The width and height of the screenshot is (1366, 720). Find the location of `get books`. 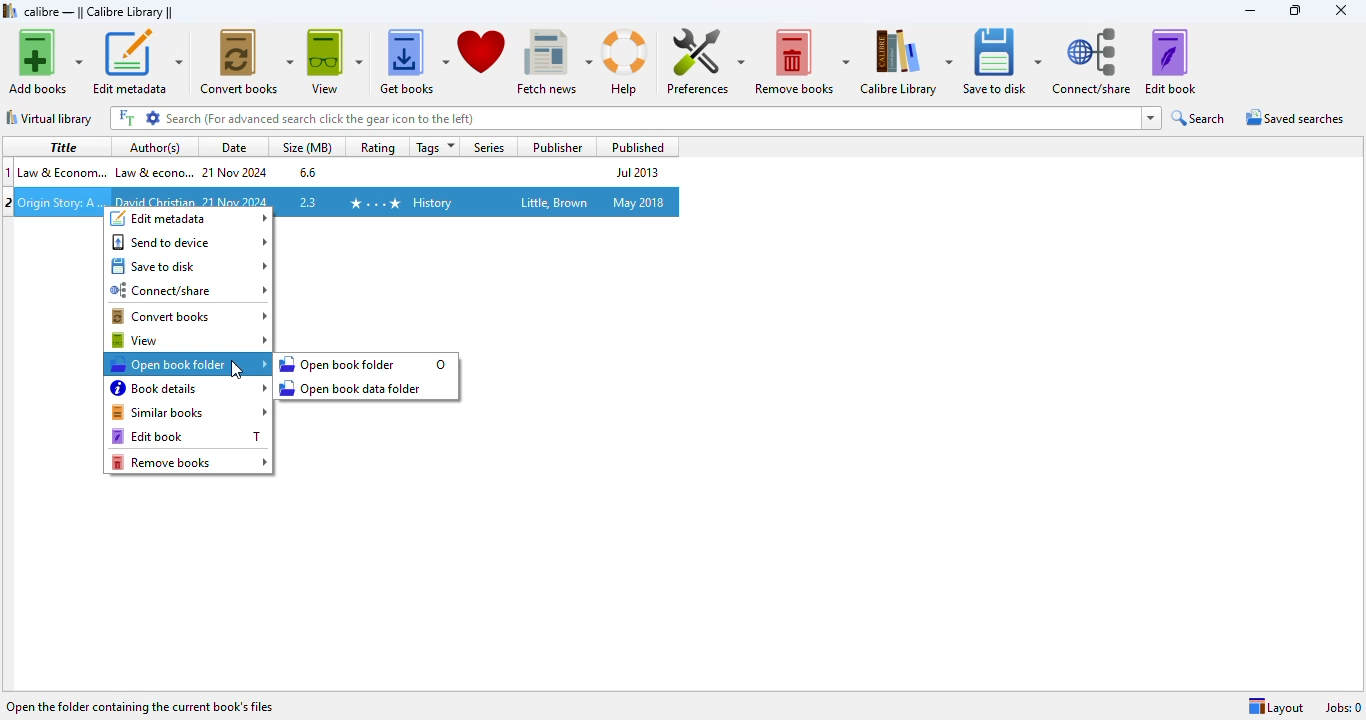

get books is located at coordinates (413, 60).